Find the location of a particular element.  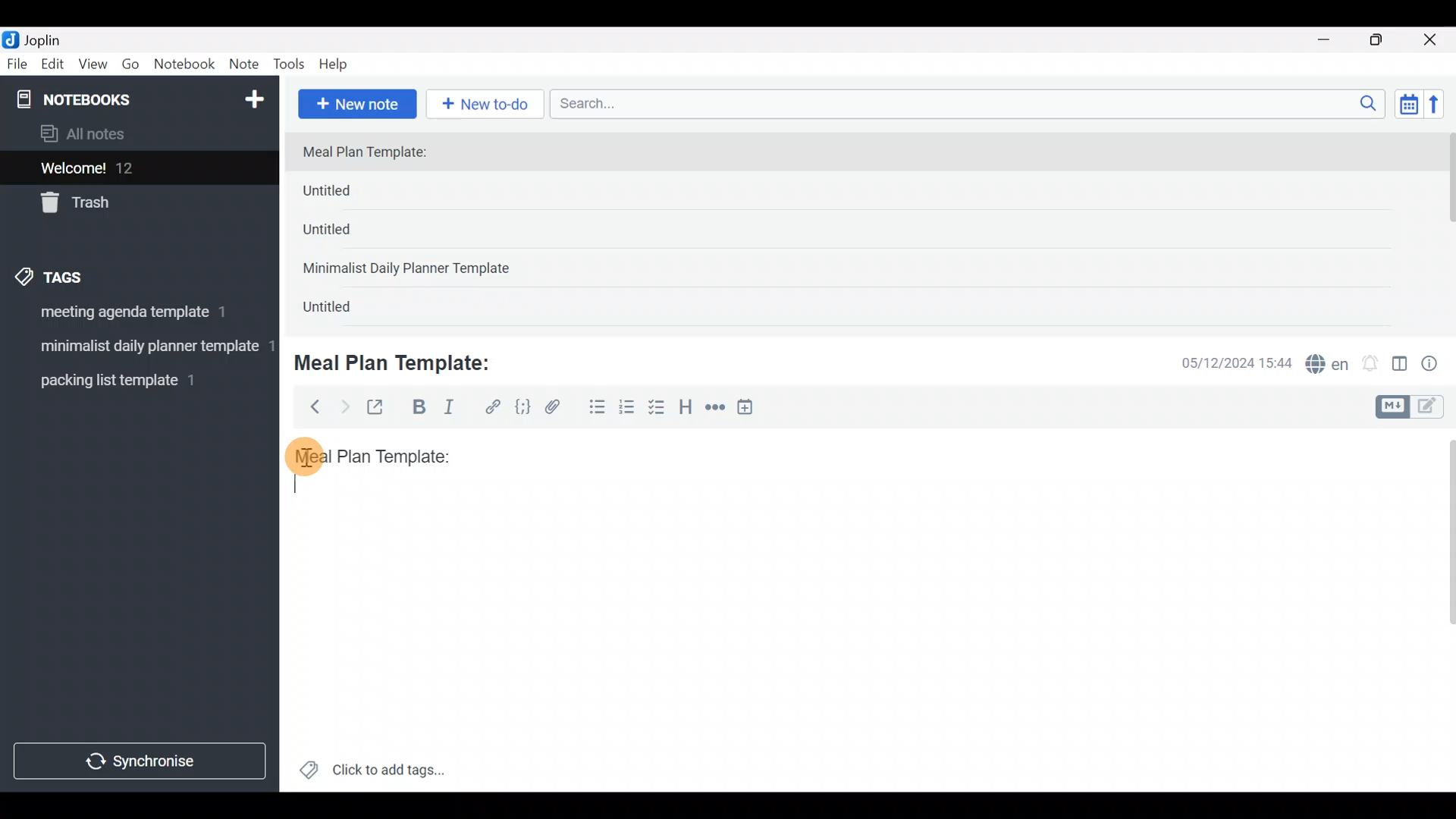

cursor is located at coordinates (303, 456).